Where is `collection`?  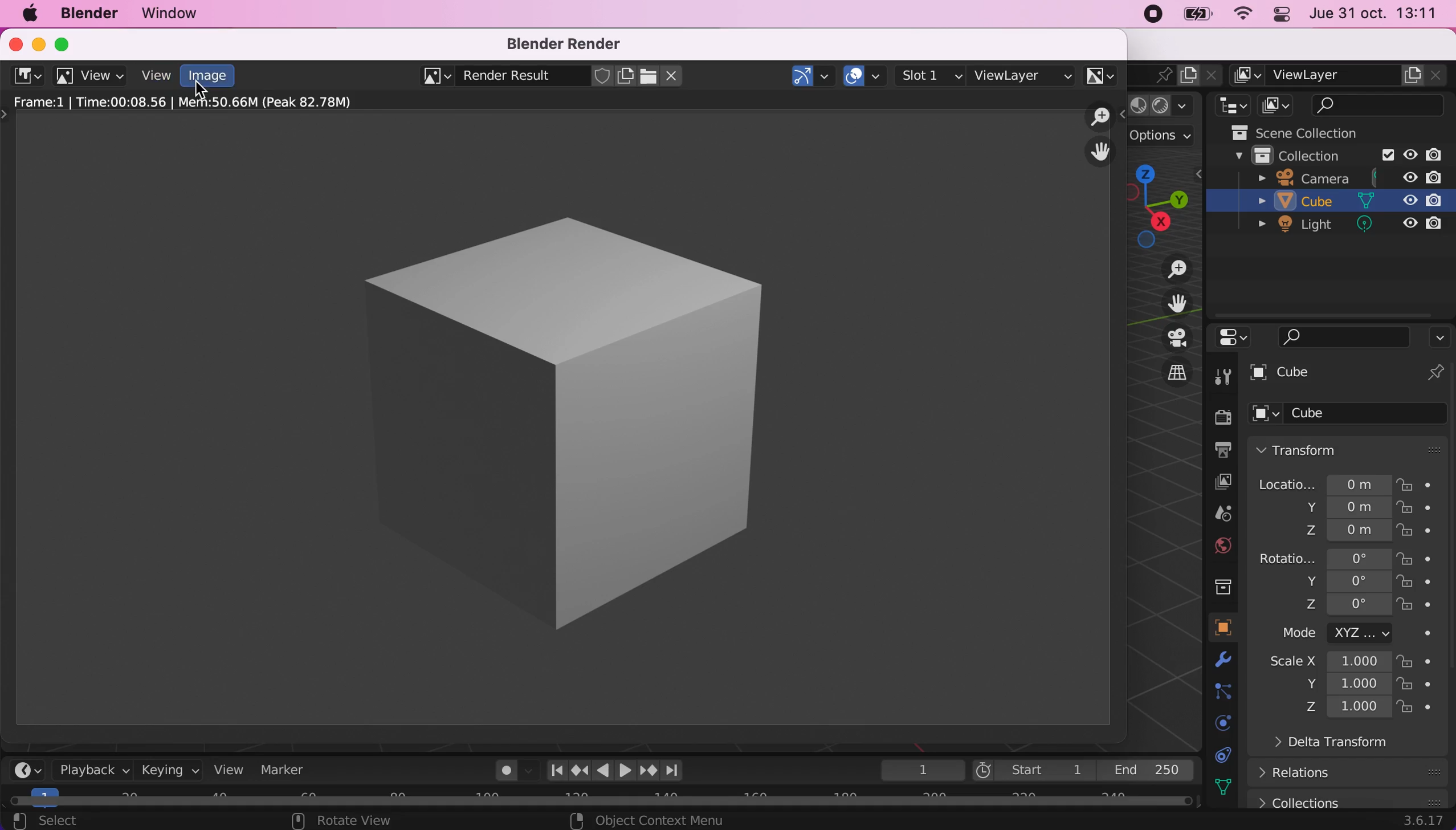
collection is located at coordinates (1222, 585).